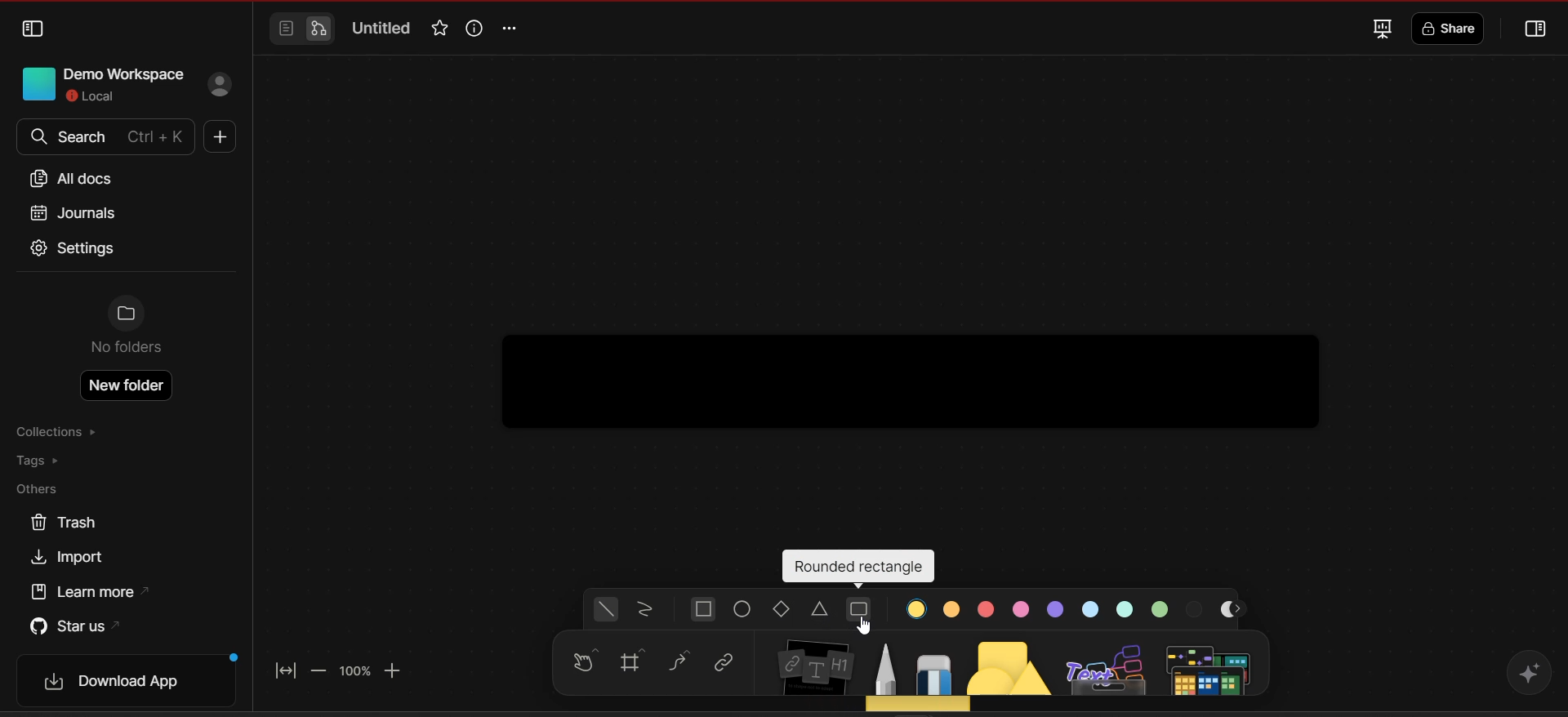 The height and width of the screenshot is (717, 1568). What do you see at coordinates (934, 670) in the screenshot?
I see `eraser` at bounding box center [934, 670].